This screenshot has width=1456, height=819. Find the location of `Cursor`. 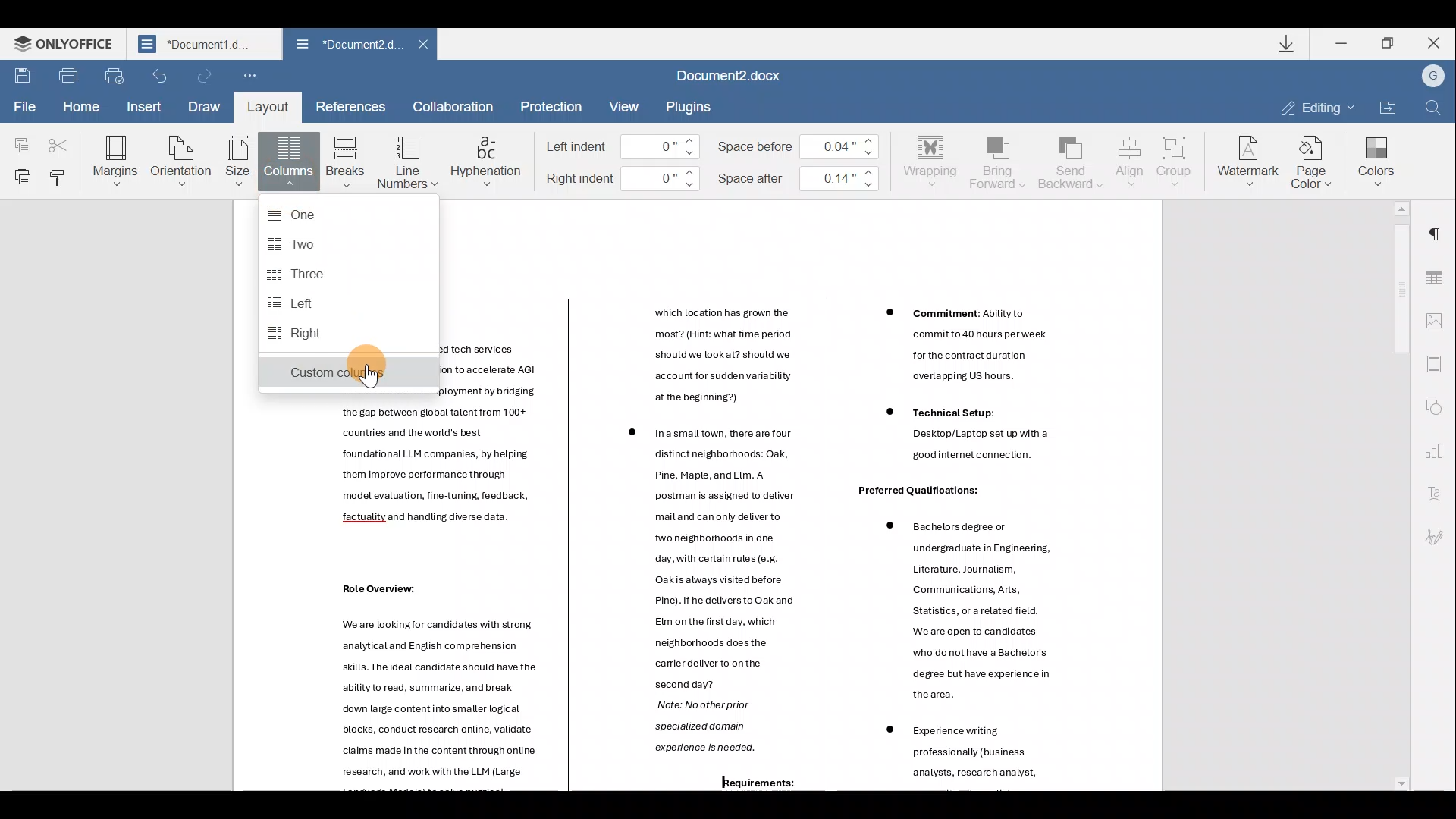

Cursor is located at coordinates (372, 375).